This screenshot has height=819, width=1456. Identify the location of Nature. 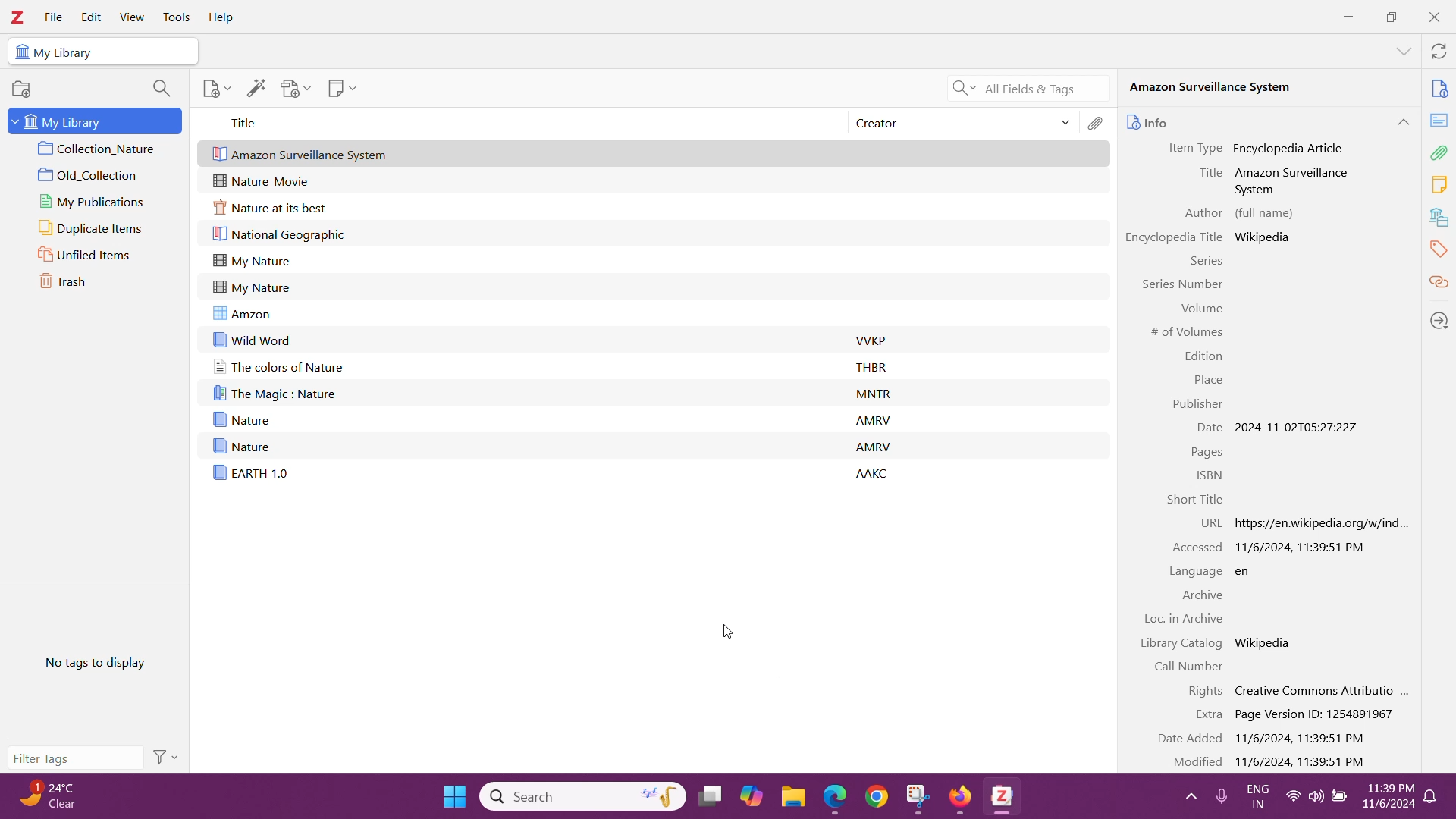
(240, 421).